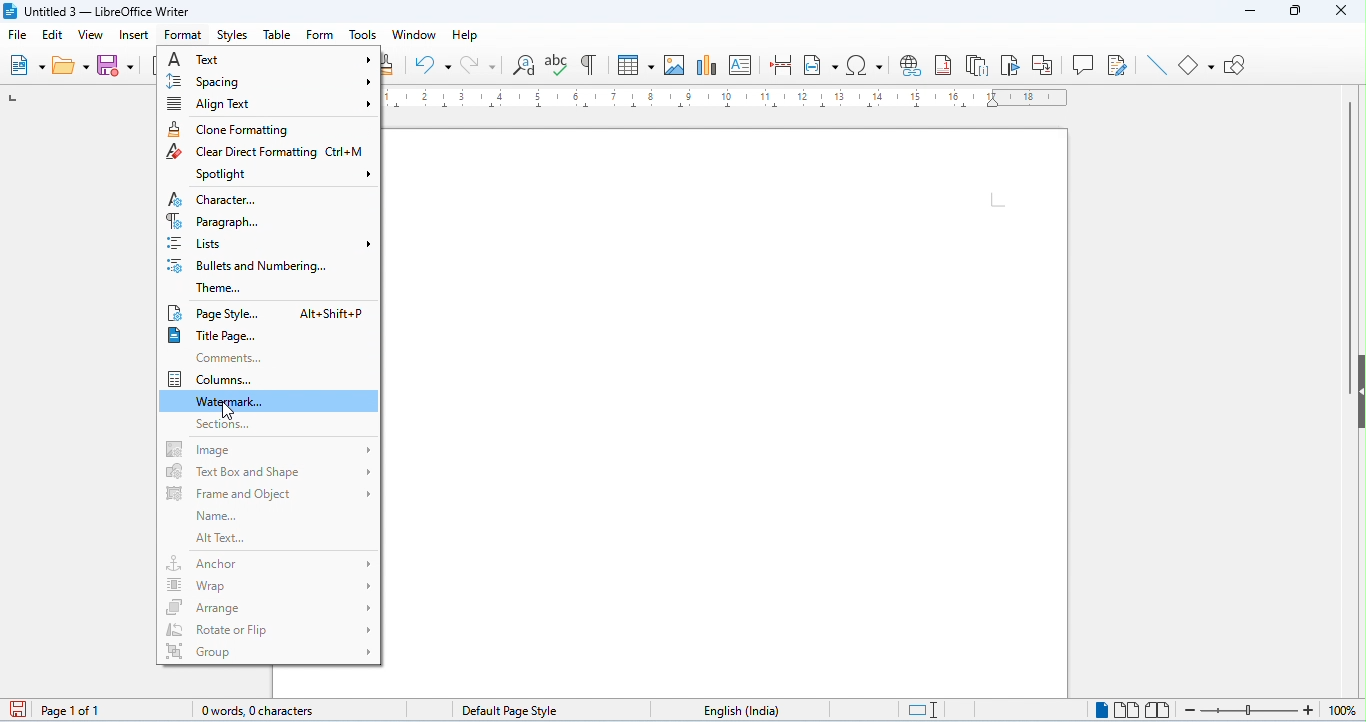  What do you see at coordinates (213, 378) in the screenshot?
I see `columns` at bounding box center [213, 378].